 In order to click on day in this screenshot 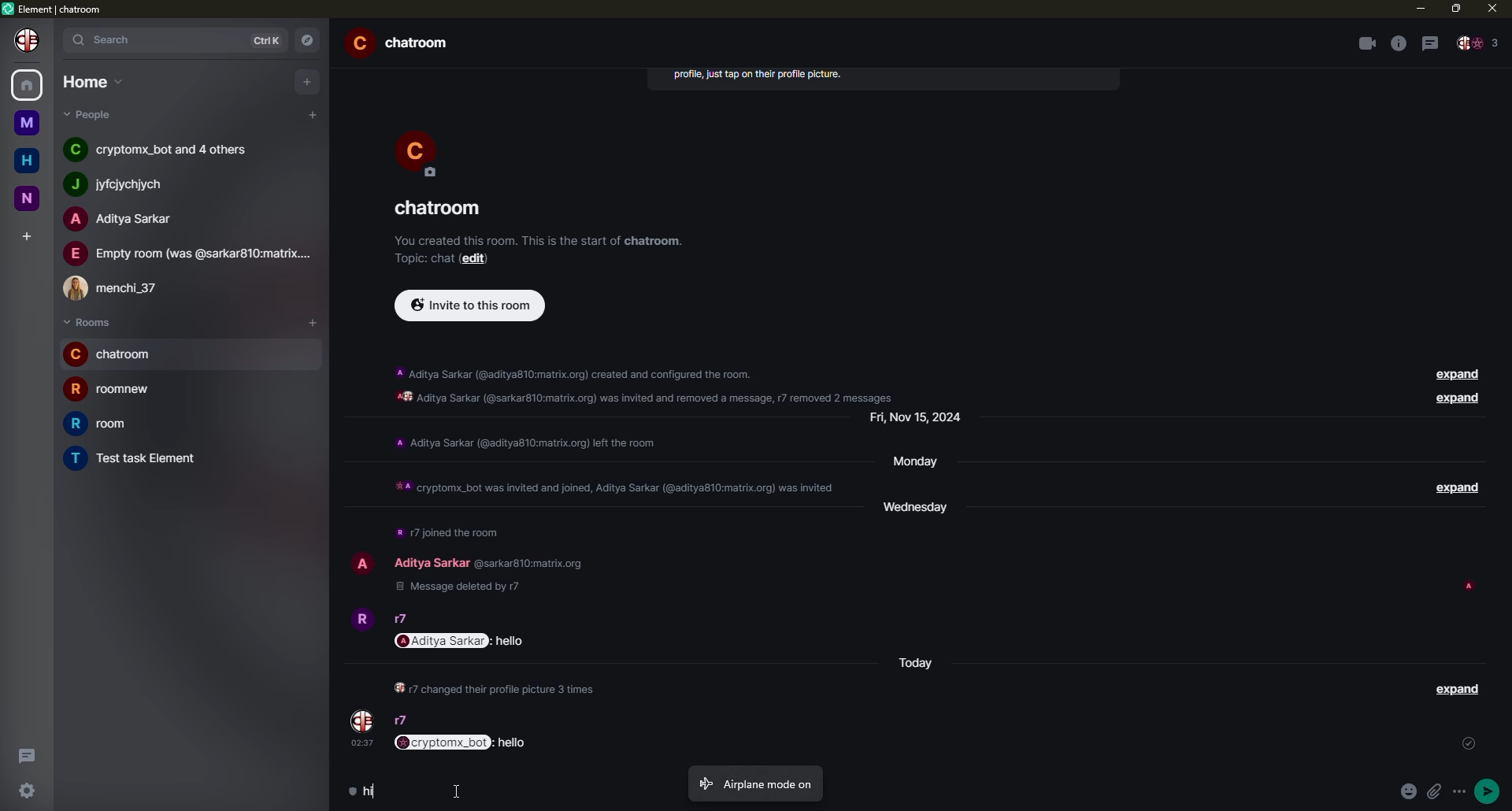, I will do `click(921, 420)`.